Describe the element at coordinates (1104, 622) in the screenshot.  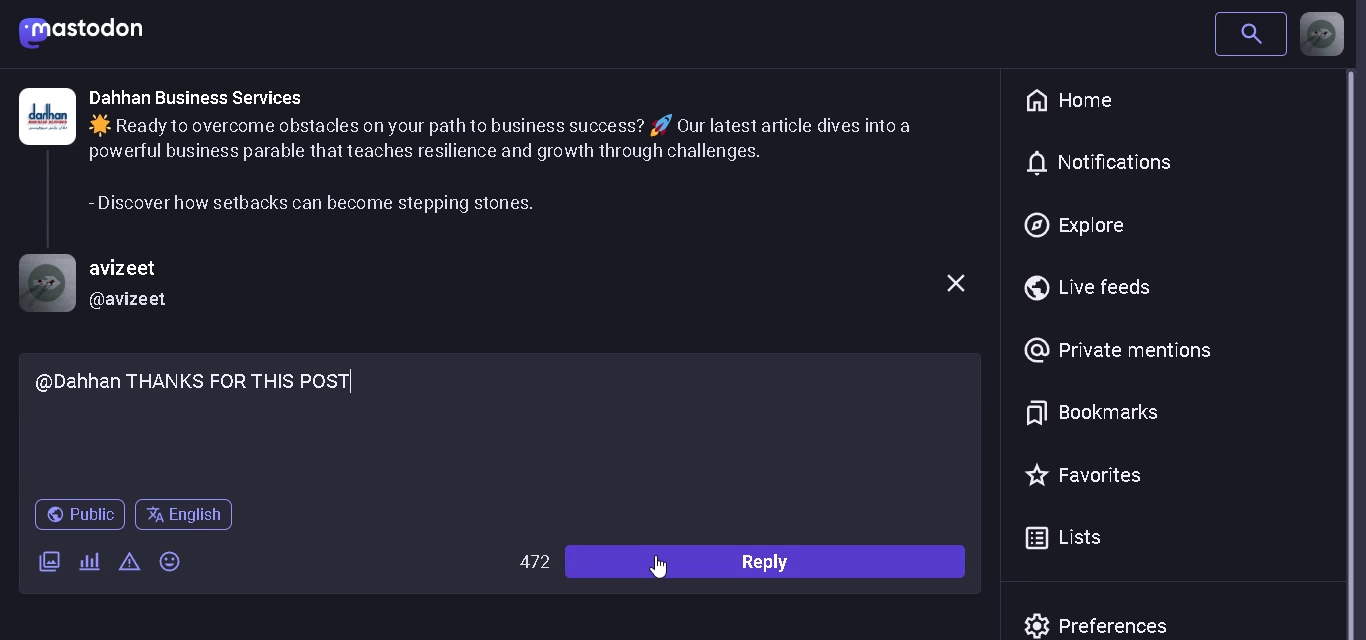
I see `prefrences` at that location.